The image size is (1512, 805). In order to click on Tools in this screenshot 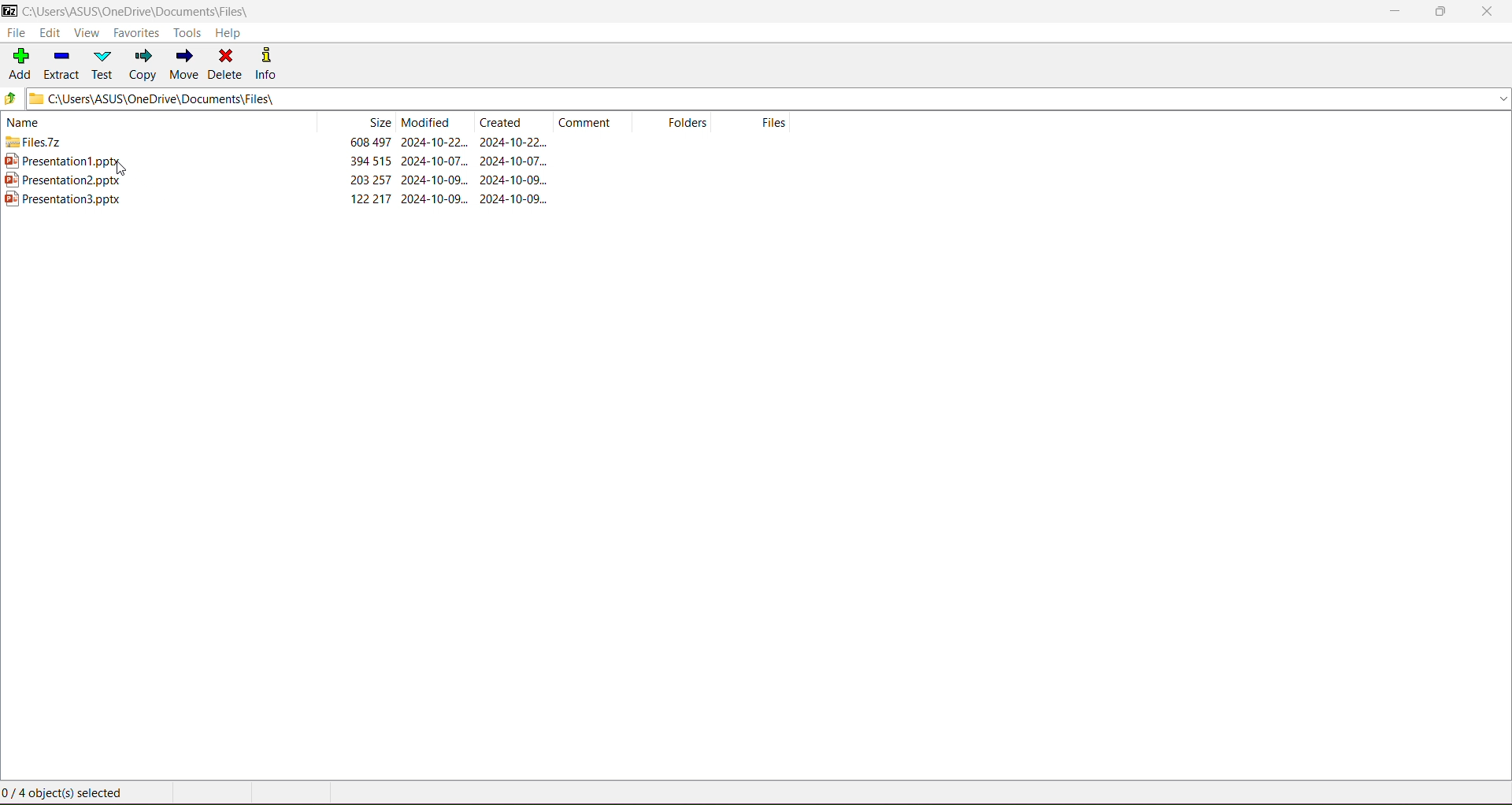, I will do `click(187, 33)`.